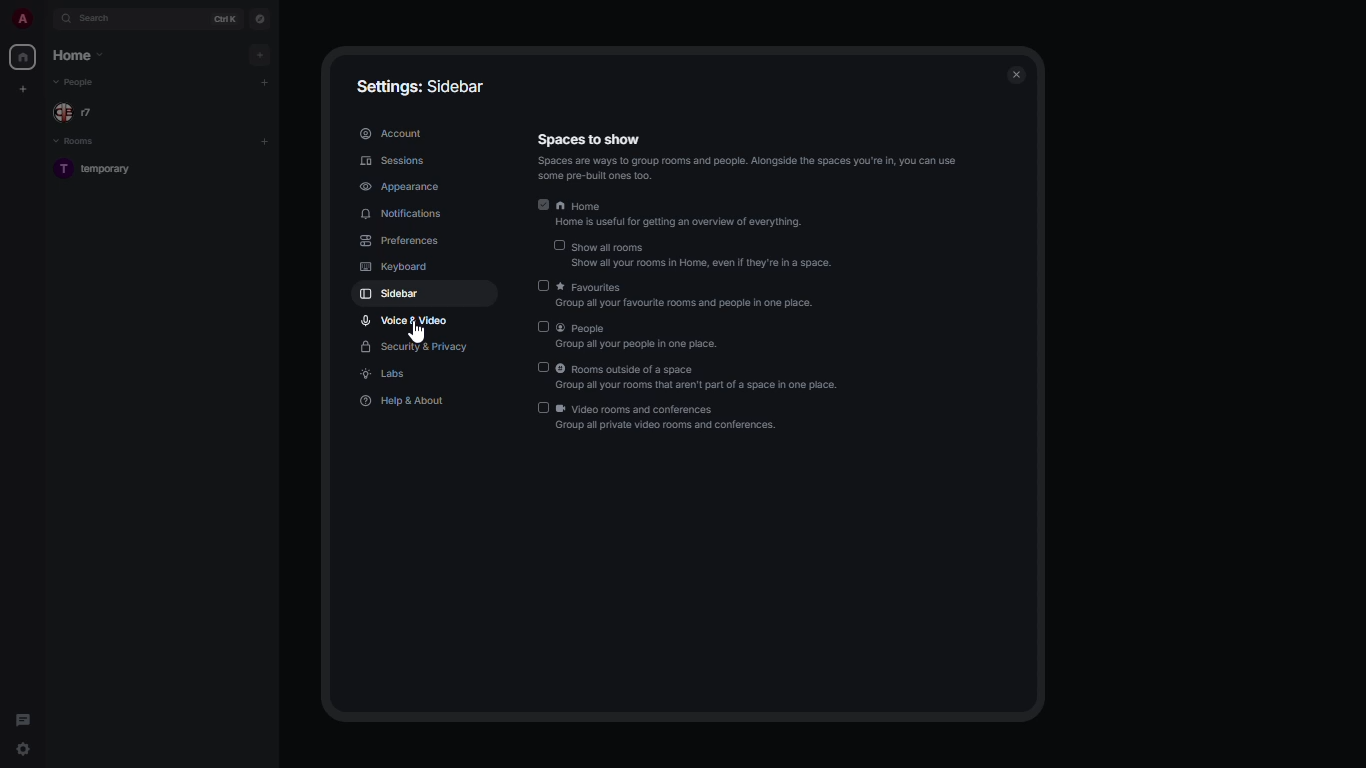 The image size is (1366, 768). I want to click on disabled, so click(540, 327).